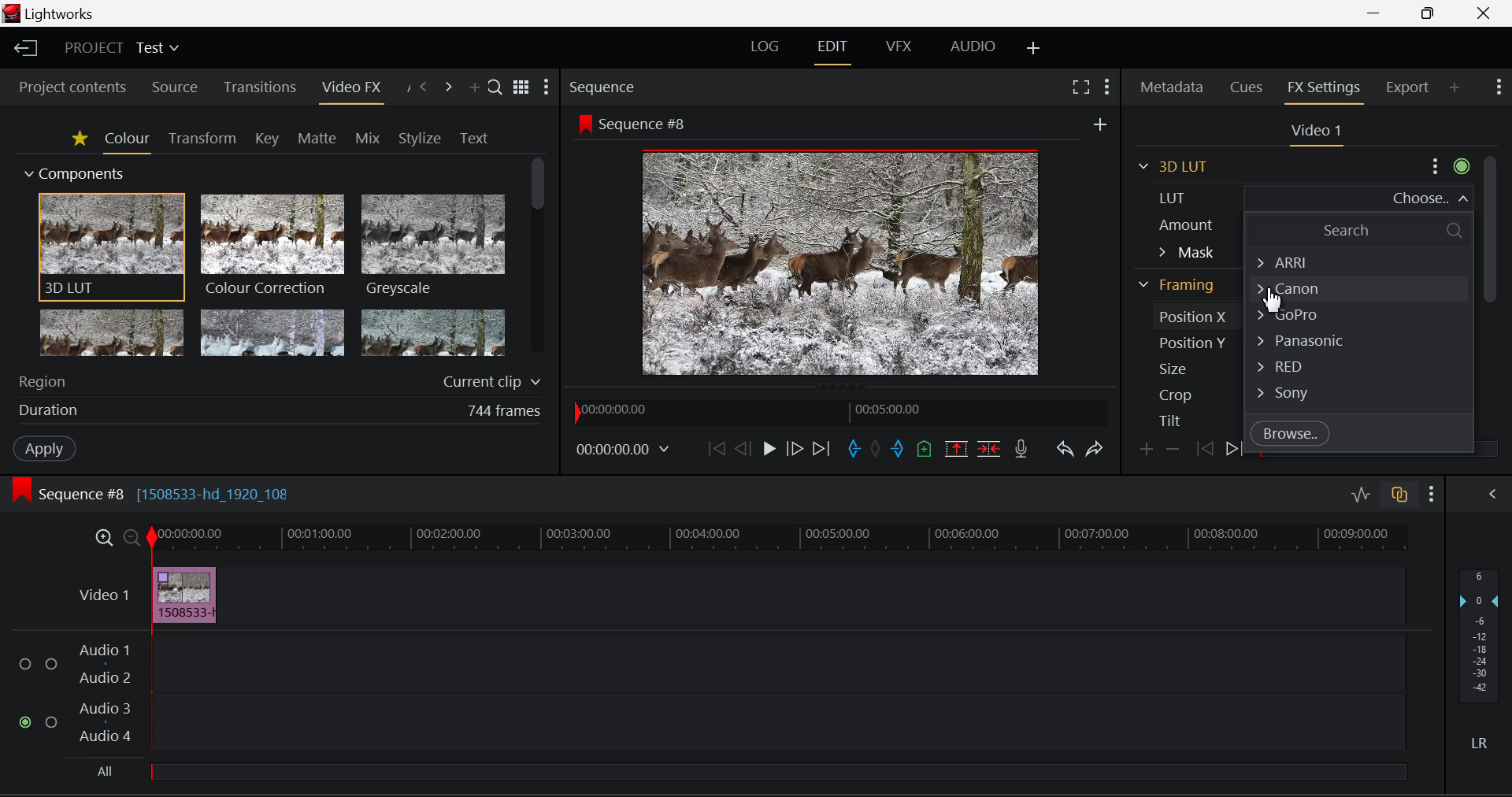 This screenshot has height=797, width=1512. What do you see at coordinates (1405, 90) in the screenshot?
I see `Export` at bounding box center [1405, 90].